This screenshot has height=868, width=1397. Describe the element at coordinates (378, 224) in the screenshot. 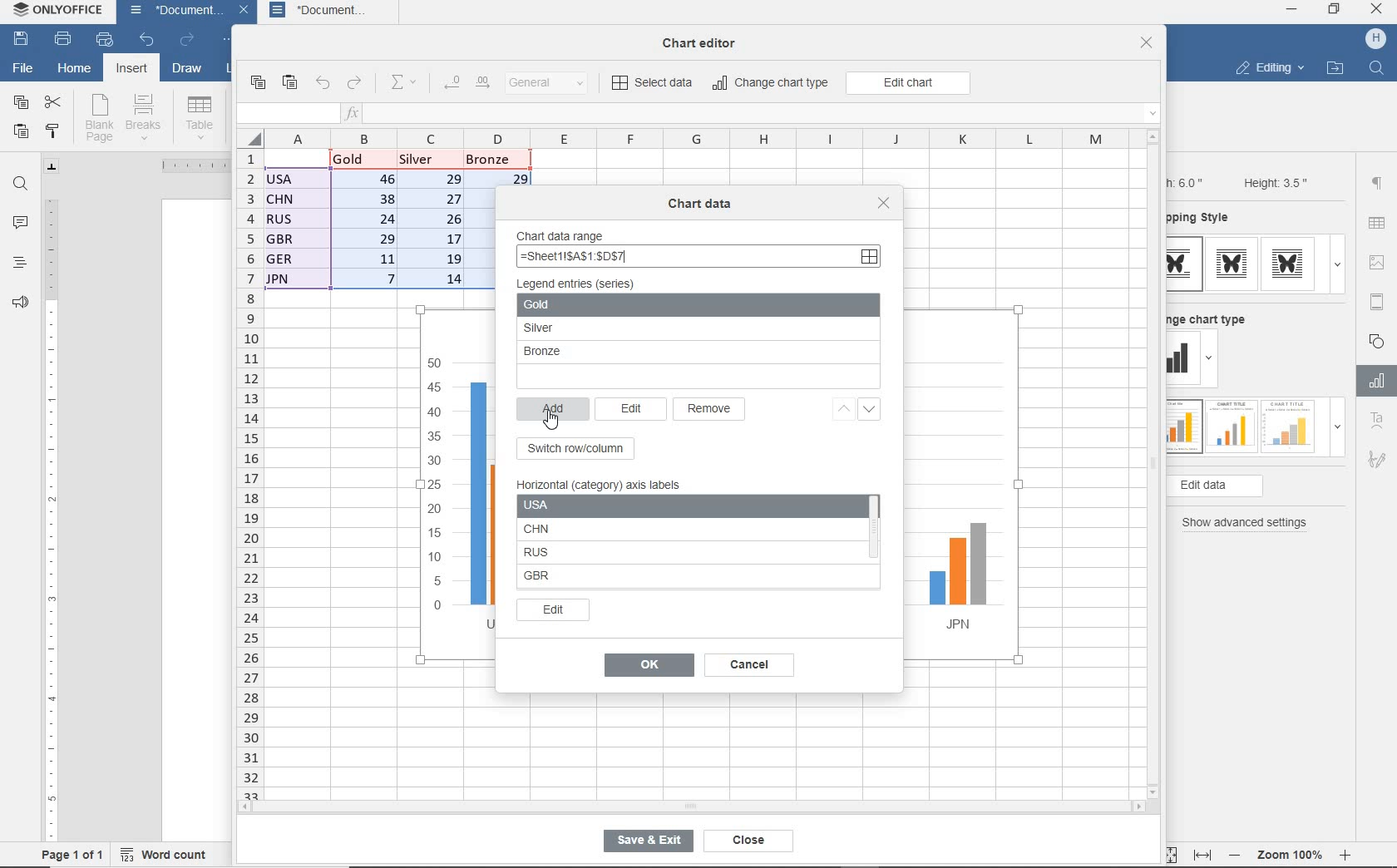

I see `data` at that location.